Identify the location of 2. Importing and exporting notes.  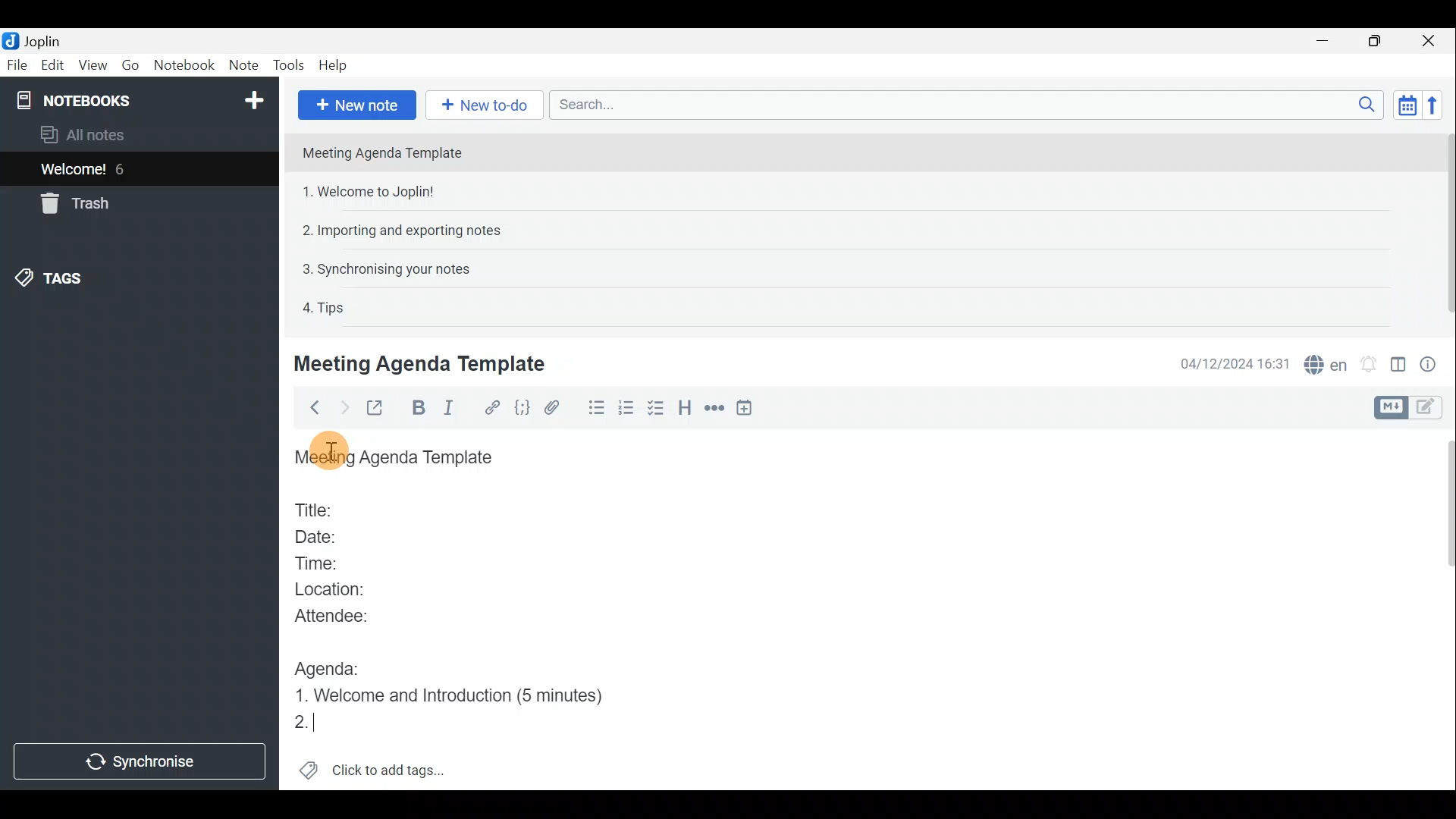
(407, 231).